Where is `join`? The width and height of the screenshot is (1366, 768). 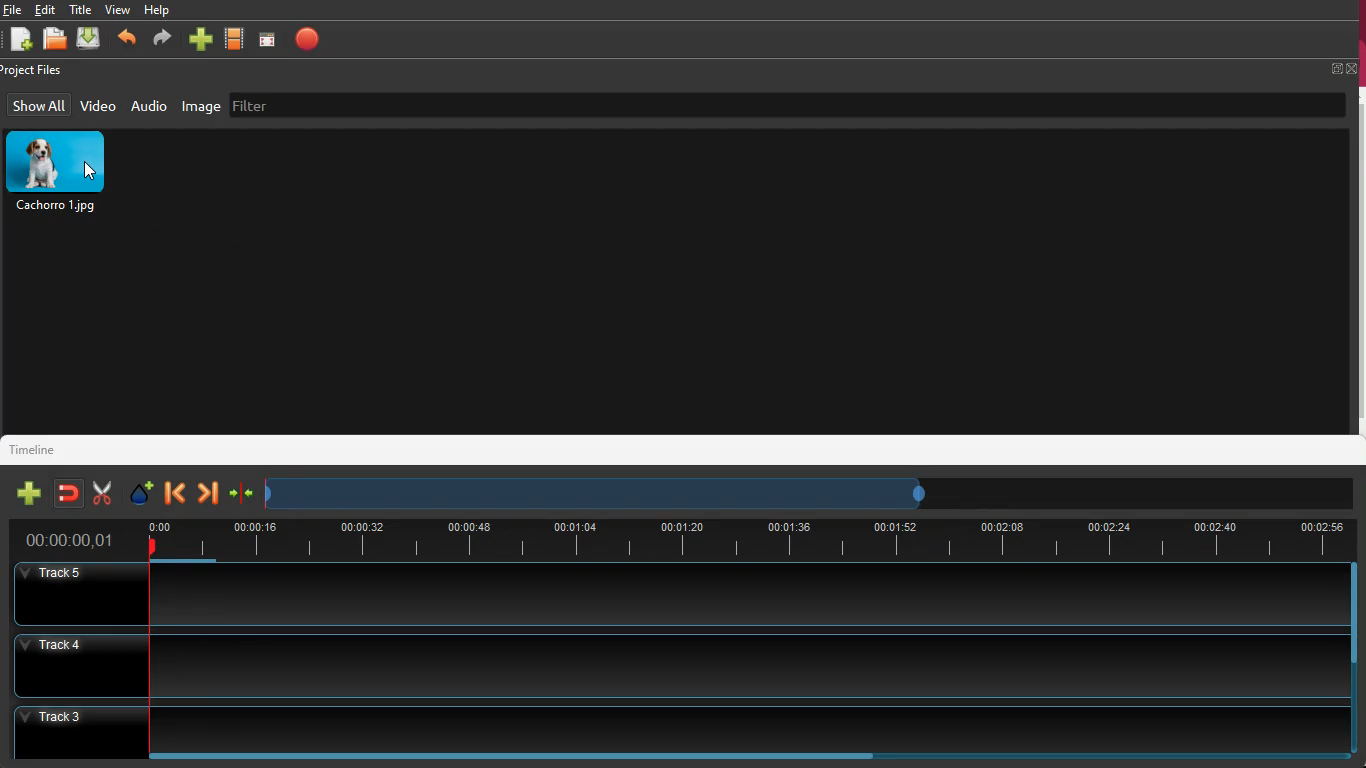 join is located at coordinates (67, 493).